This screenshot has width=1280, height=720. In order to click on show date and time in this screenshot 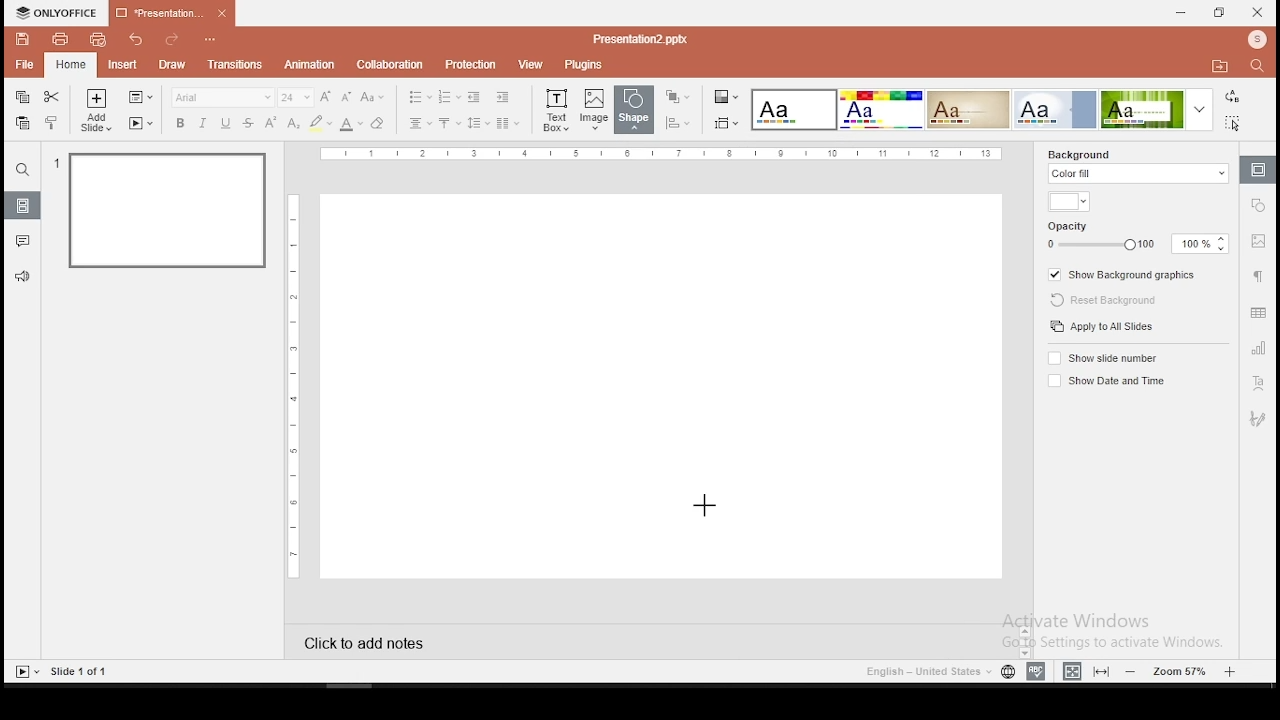, I will do `click(1104, 381)`.